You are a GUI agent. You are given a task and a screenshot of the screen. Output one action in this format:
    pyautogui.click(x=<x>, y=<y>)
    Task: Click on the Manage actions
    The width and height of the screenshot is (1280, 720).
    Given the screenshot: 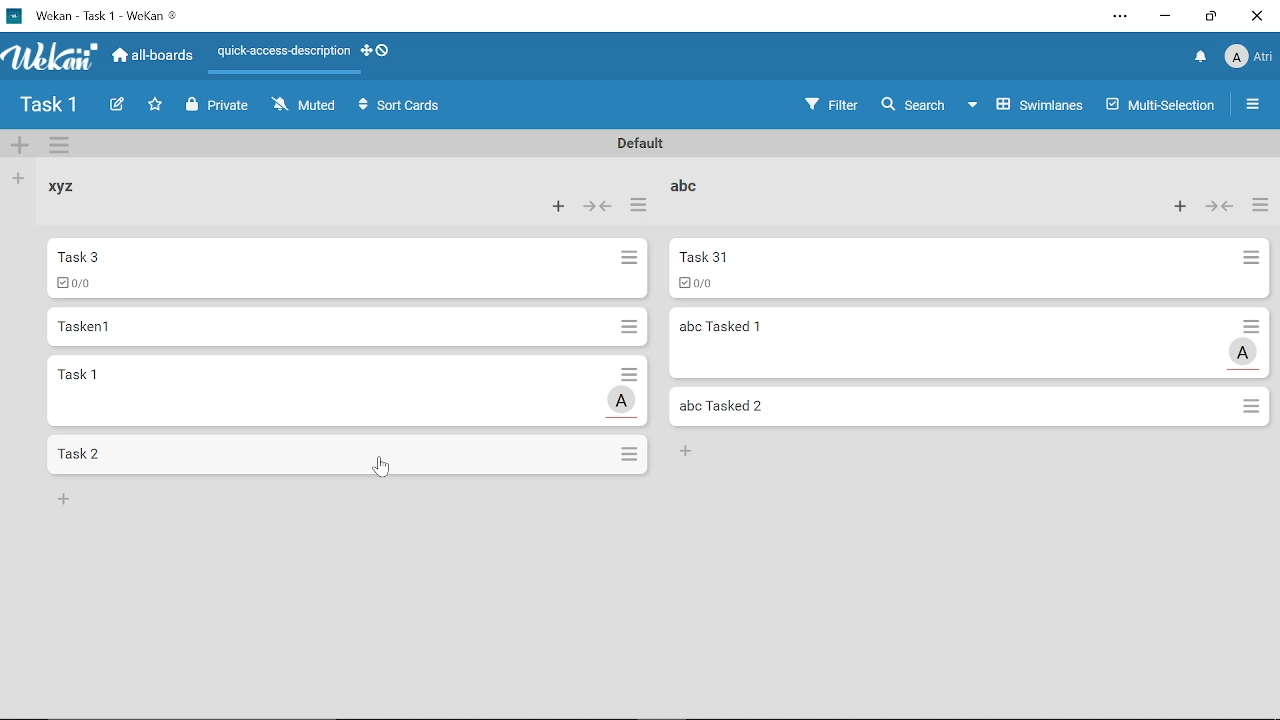 What is the action you would take?
    pyautogui.click(x=637, y=209)
    